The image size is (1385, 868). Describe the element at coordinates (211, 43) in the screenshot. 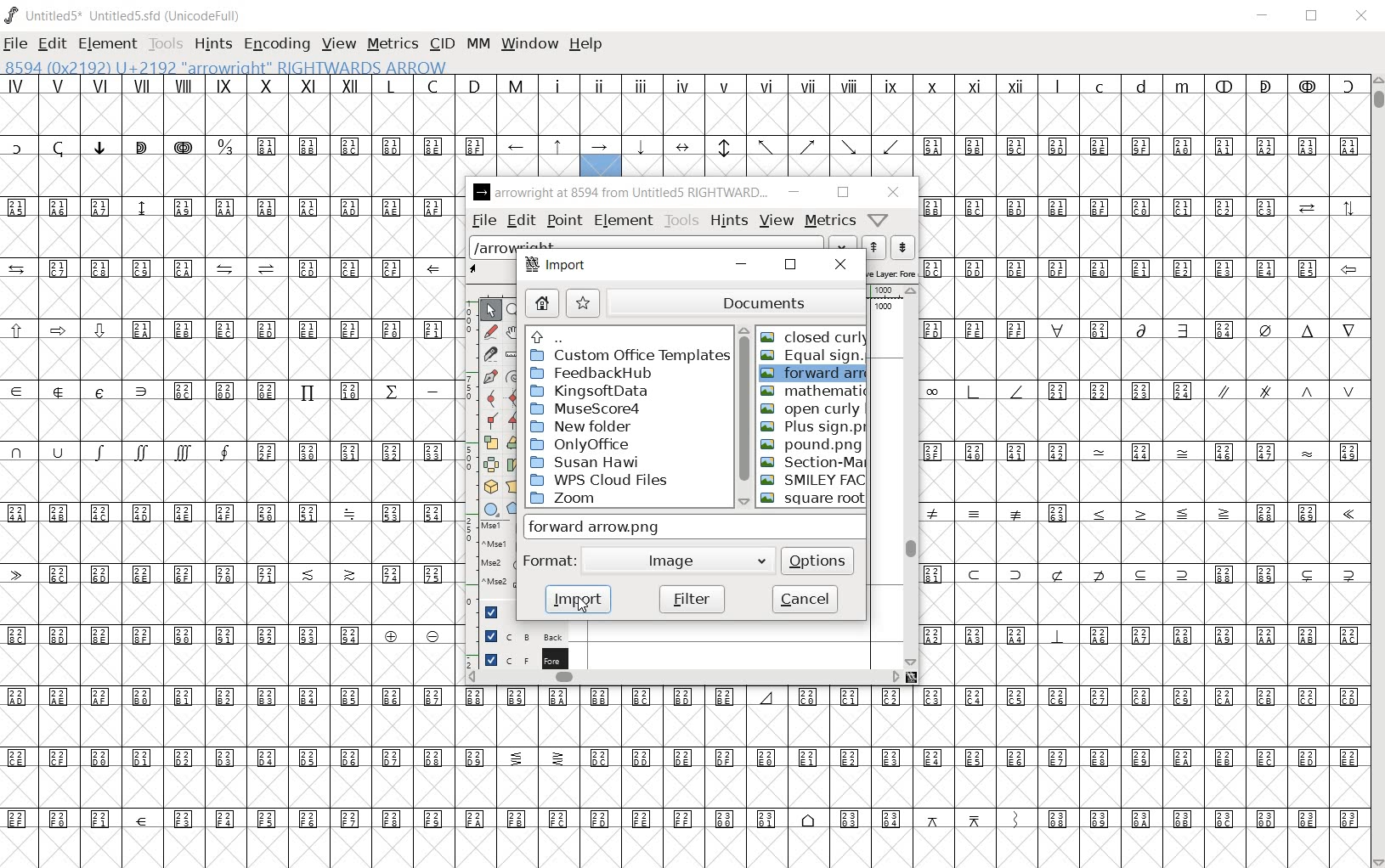

I see `HINTS` at that location.